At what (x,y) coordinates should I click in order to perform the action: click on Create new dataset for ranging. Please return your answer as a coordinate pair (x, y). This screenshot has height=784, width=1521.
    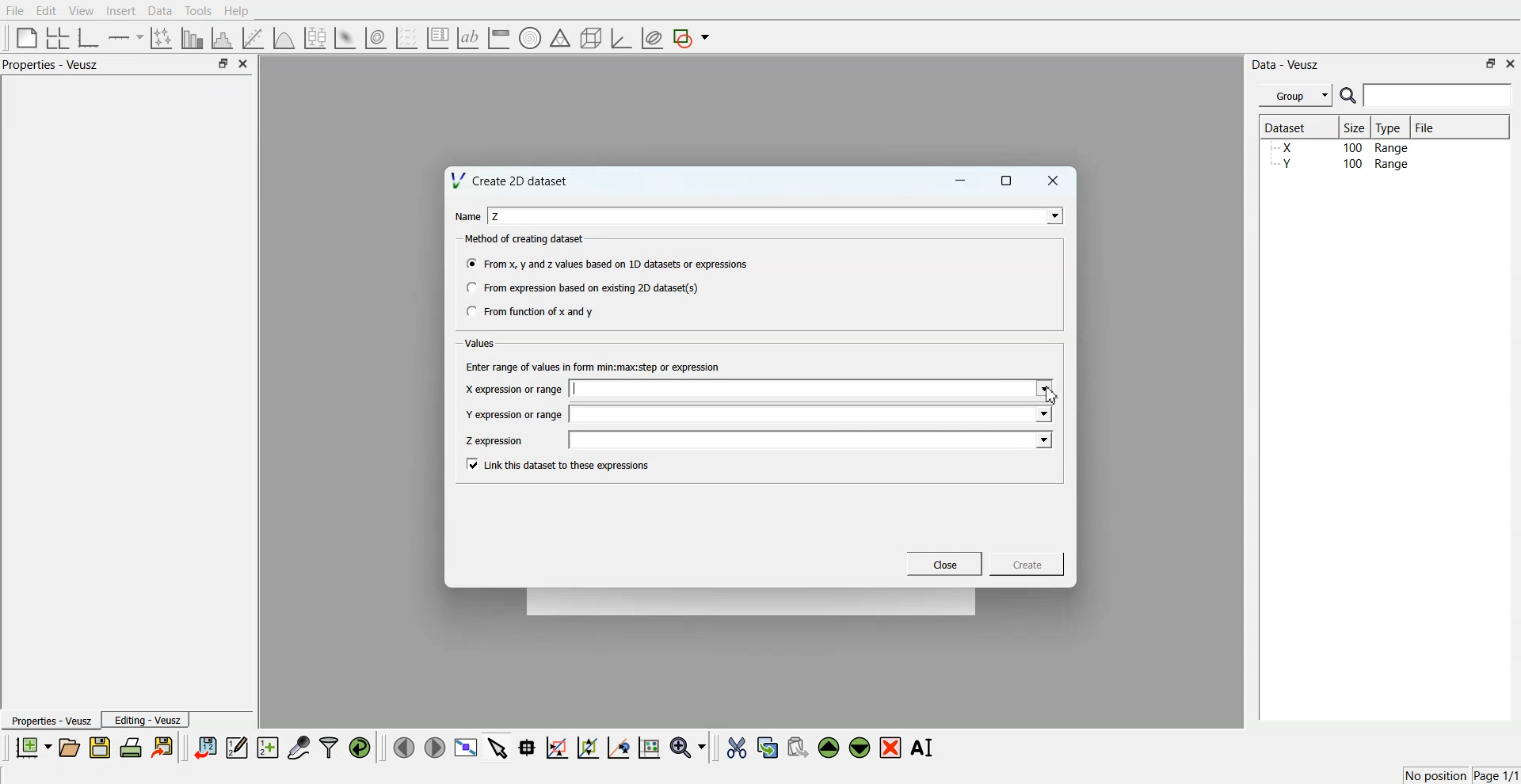
    Looking at the image, I should click on (267, 748).